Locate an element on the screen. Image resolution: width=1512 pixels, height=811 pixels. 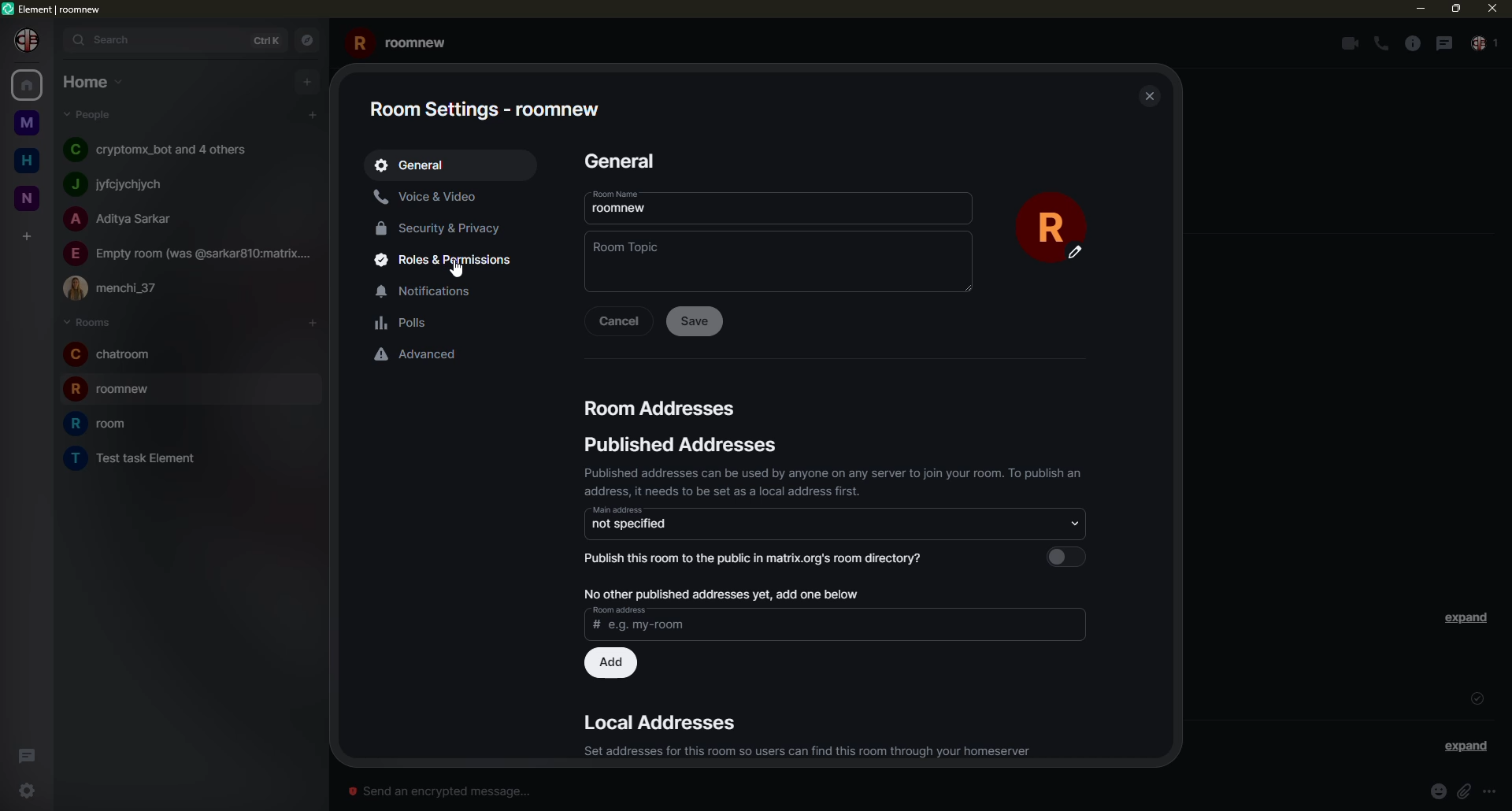
rooms is located at coordinates (87, 321).